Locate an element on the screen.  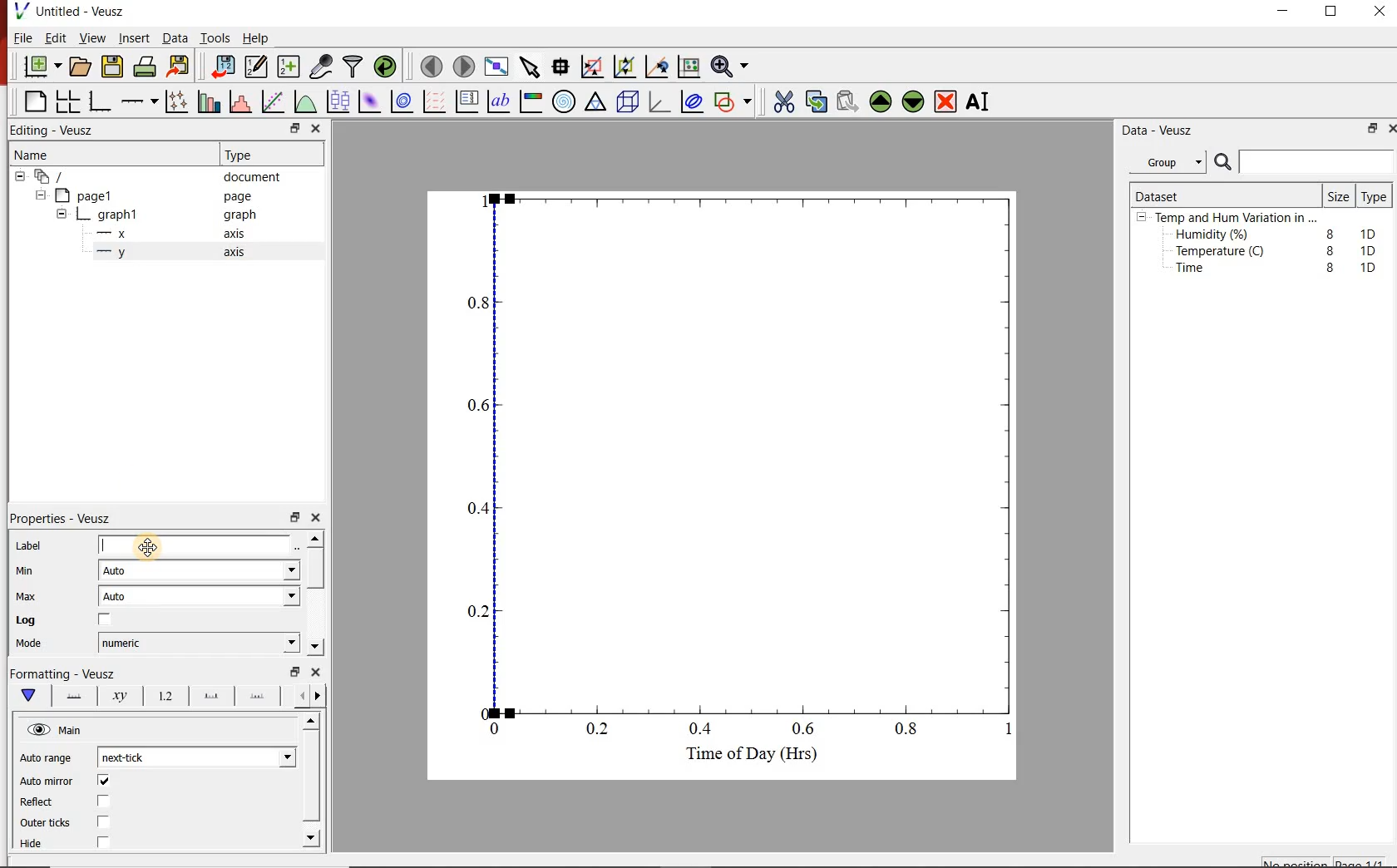
close is located at coordinates (1389, 128).